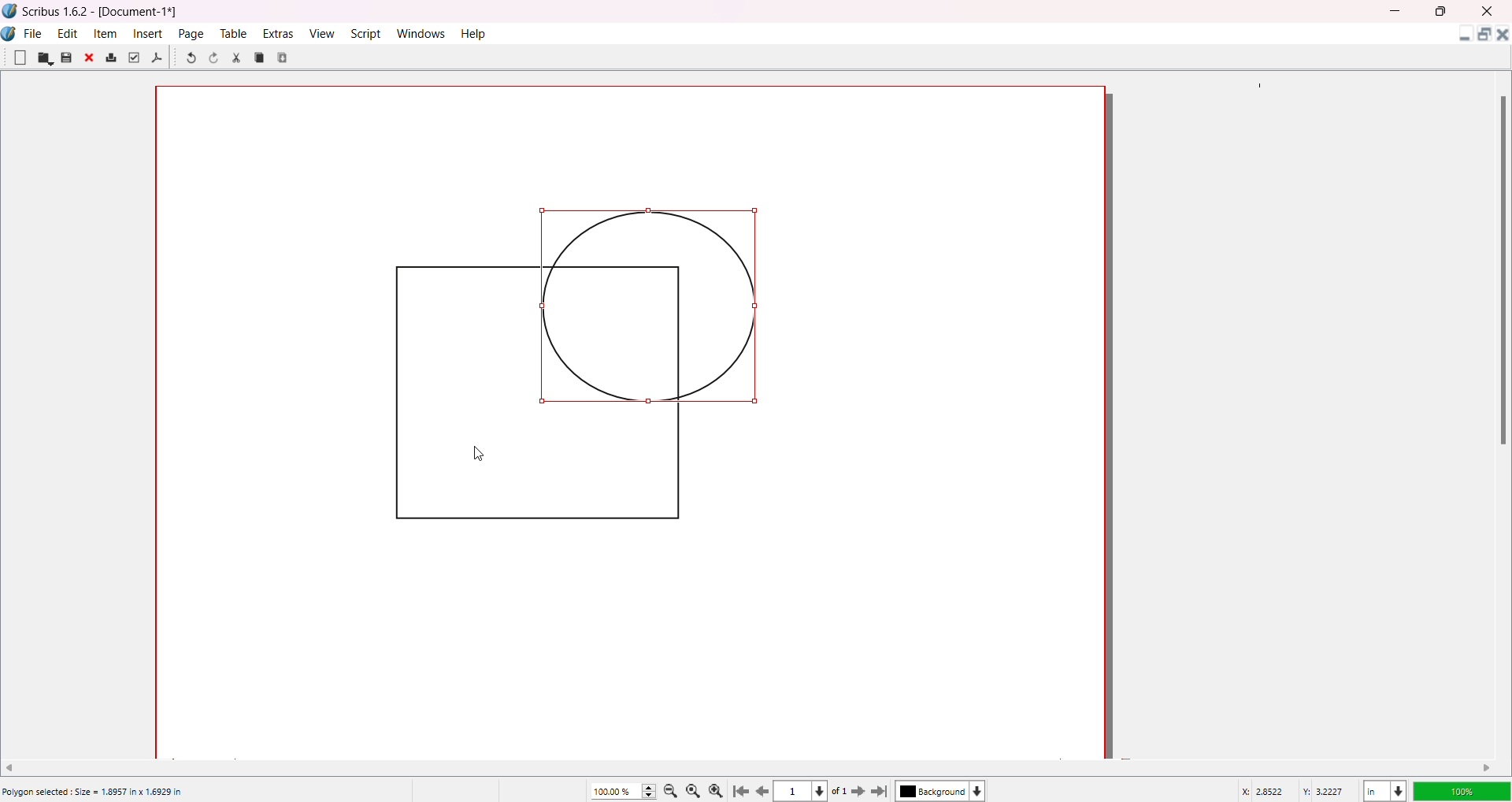 The width and height of the screenshot is (1512, 802). What do you see at coordinates (107, 33) in the screenshot?
I see `Item` at bounding box center [107, 33].